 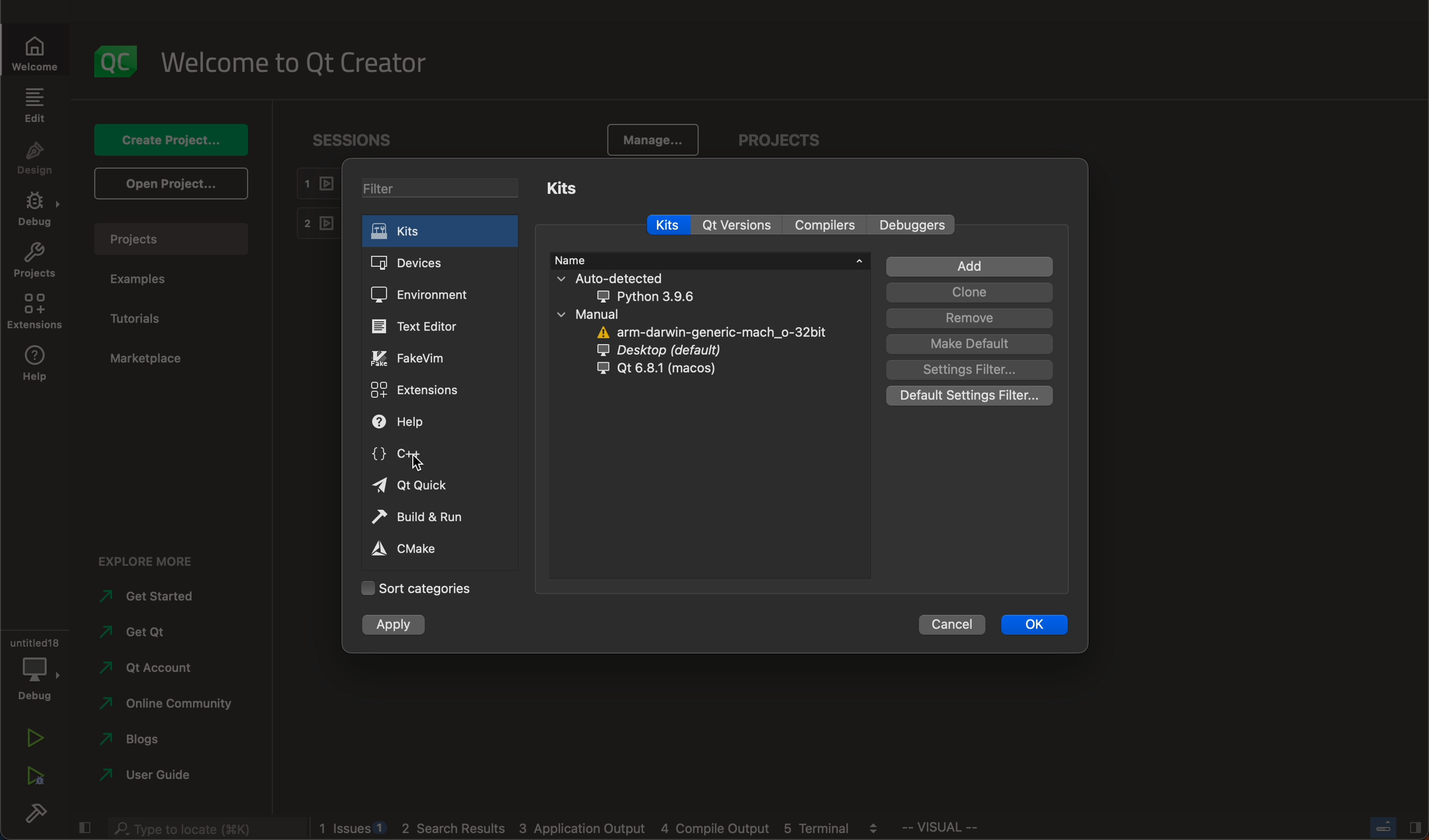 What do you see at coordinates (972, 370) in the screenshot?
I see `setting filter` at bounding box center [972, 370].